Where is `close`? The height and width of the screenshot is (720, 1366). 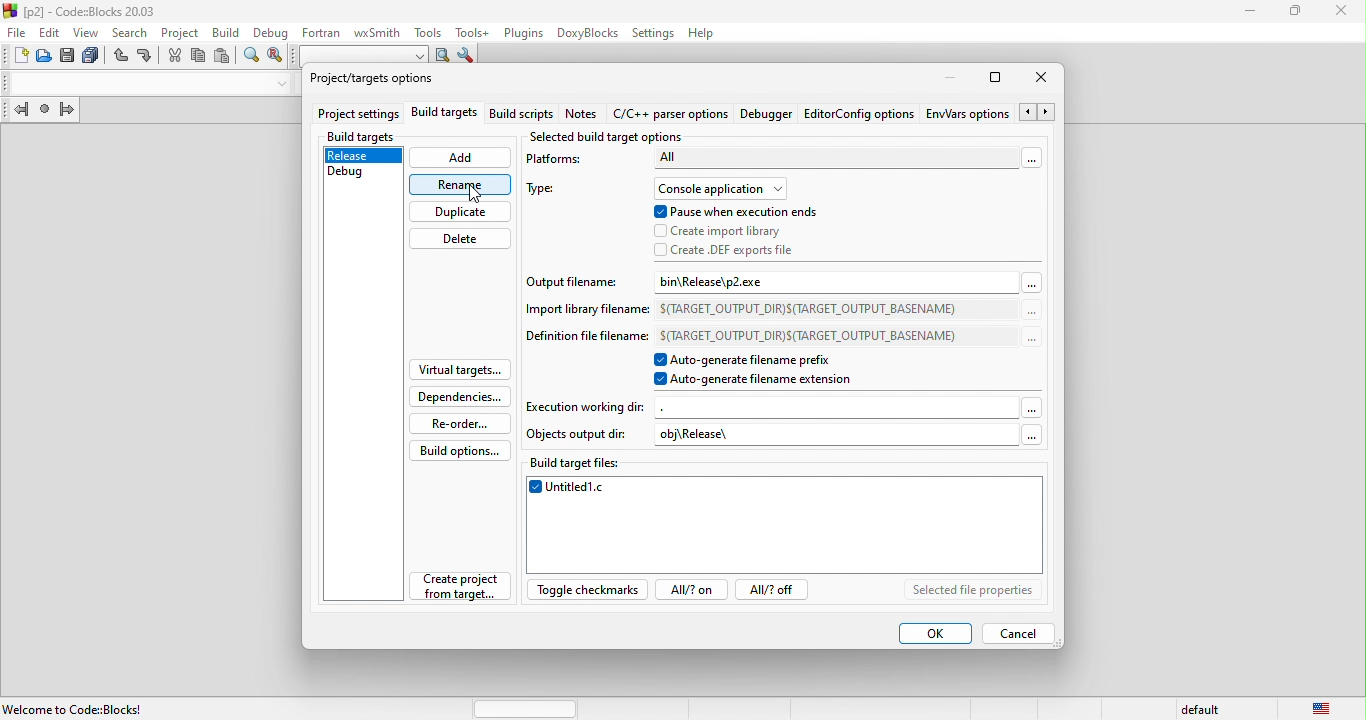
close is located at coordinates (1344, 12).